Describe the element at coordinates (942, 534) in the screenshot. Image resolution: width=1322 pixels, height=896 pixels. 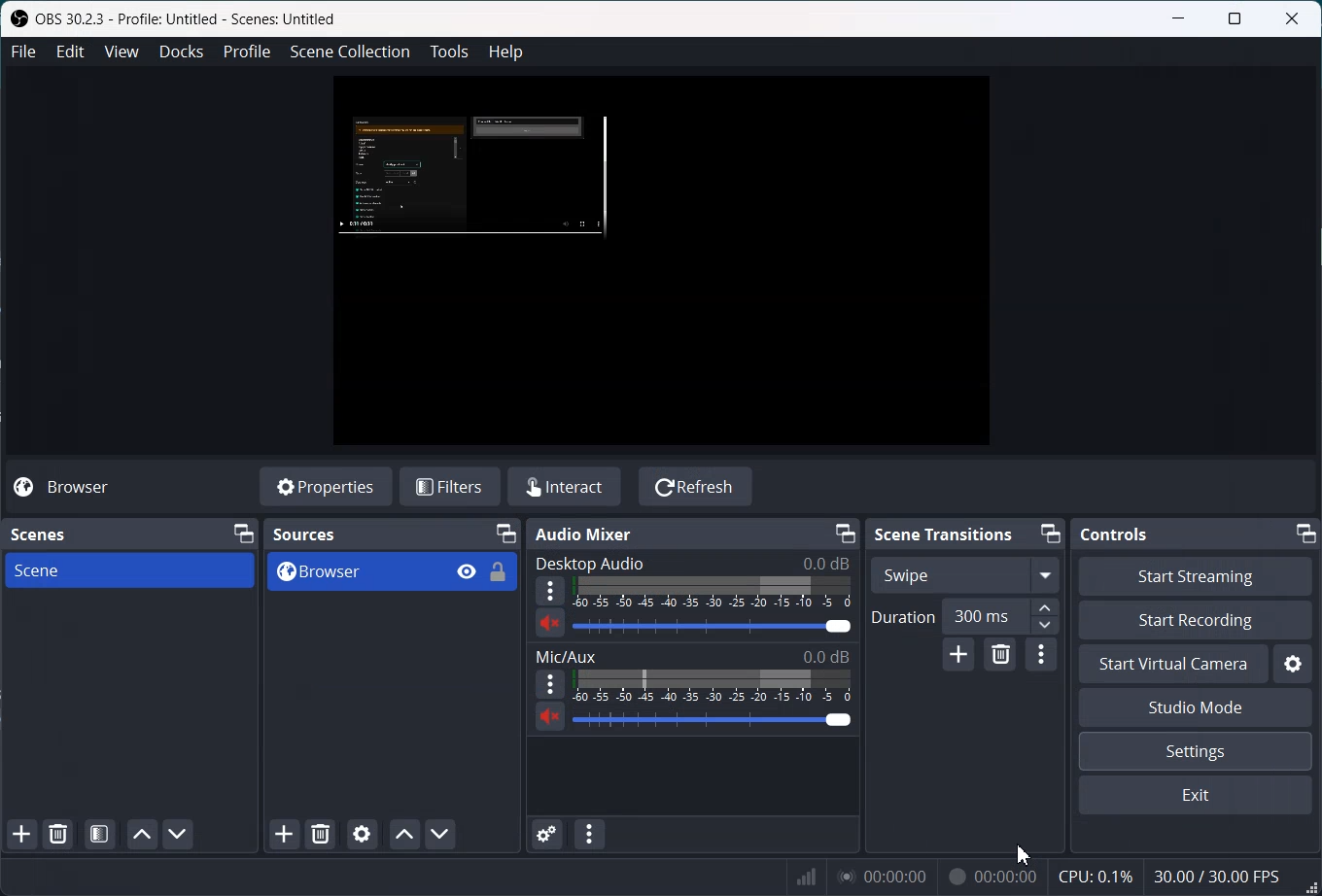
I see `Scene Transitions` at that location.